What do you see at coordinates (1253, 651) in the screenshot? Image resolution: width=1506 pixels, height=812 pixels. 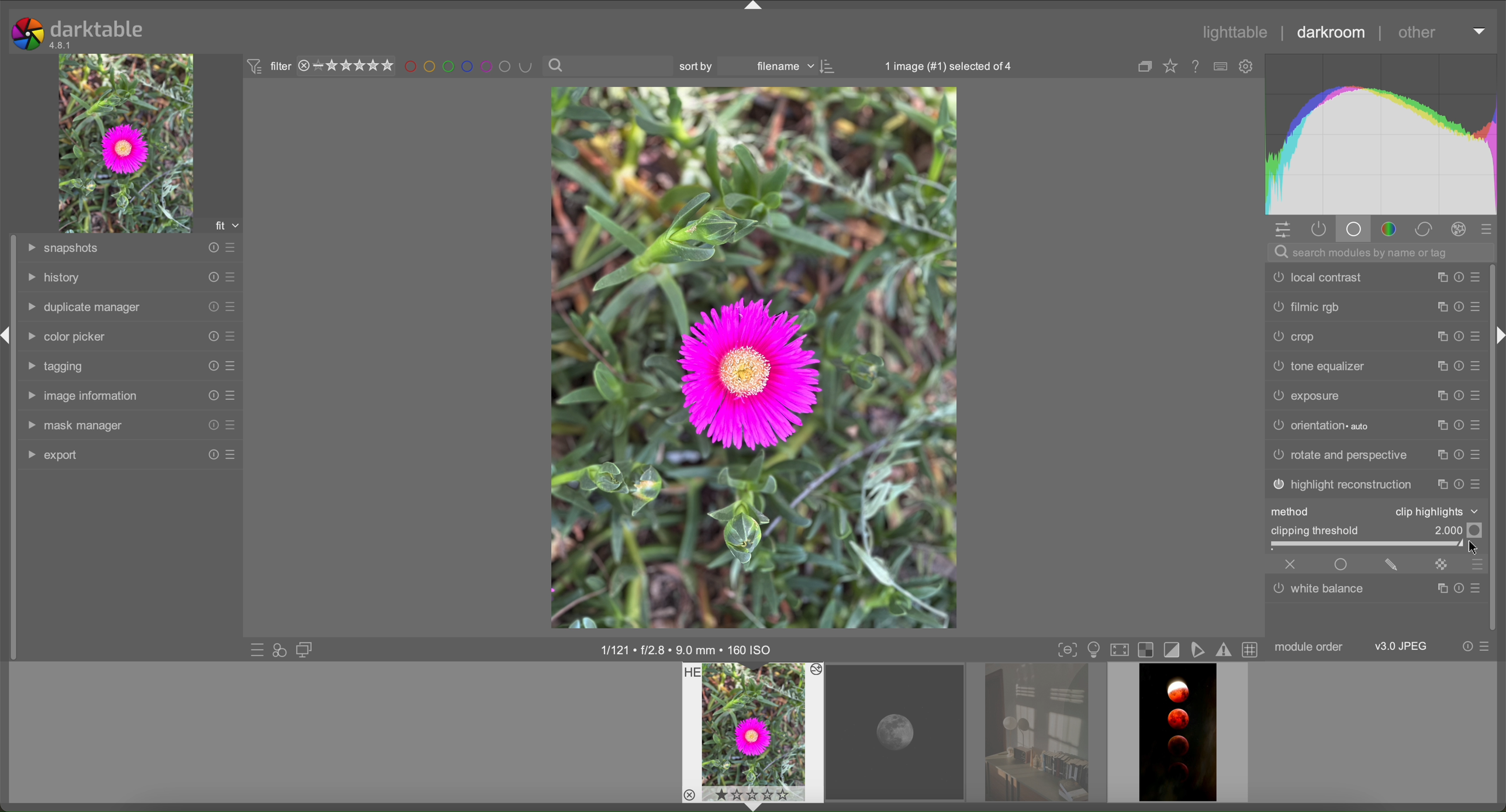 I see `toggle guidelines` at bounding box center [1253, 651].